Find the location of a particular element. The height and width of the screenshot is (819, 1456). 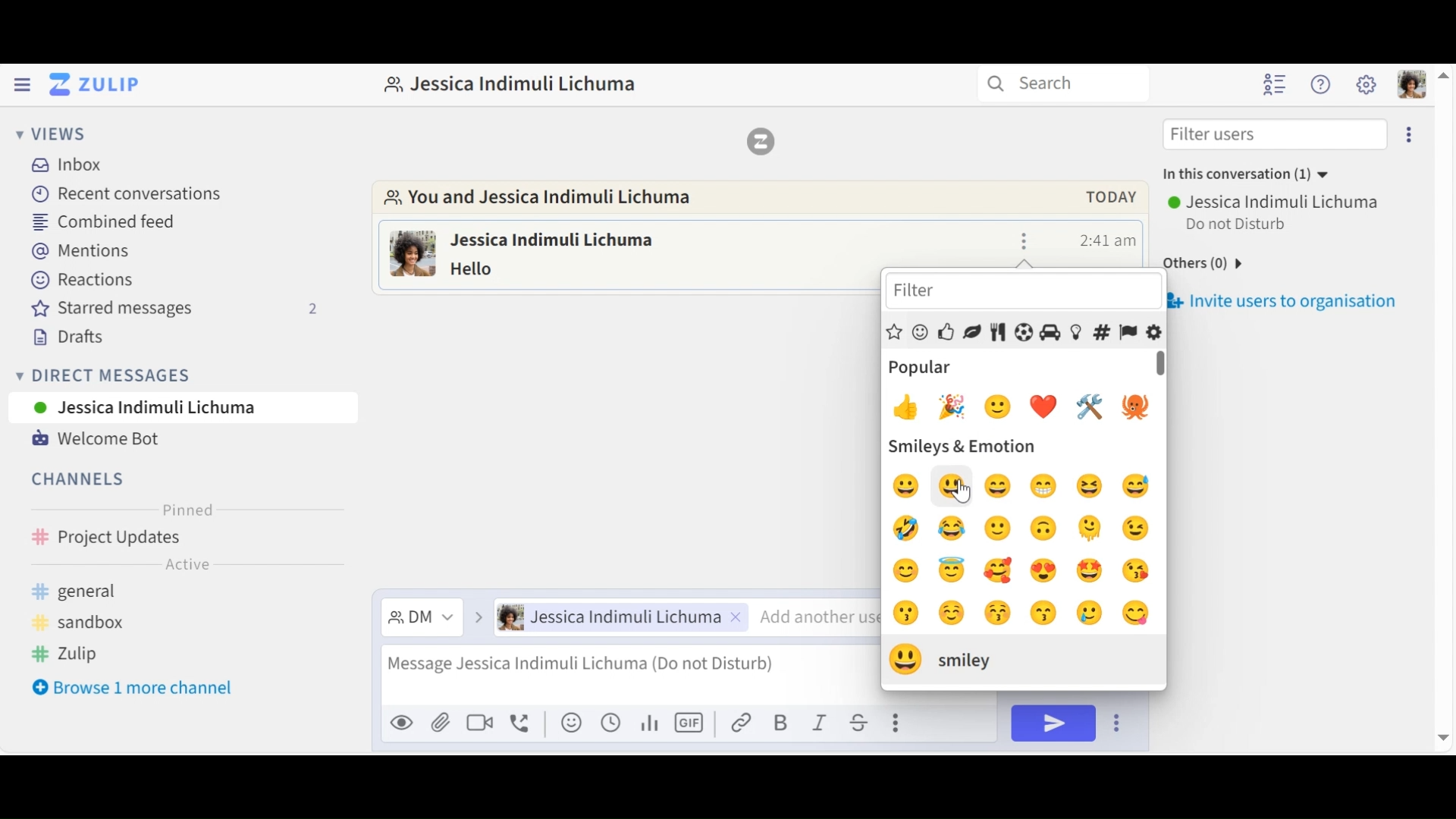

cursor is located at coordinates (962, 494).